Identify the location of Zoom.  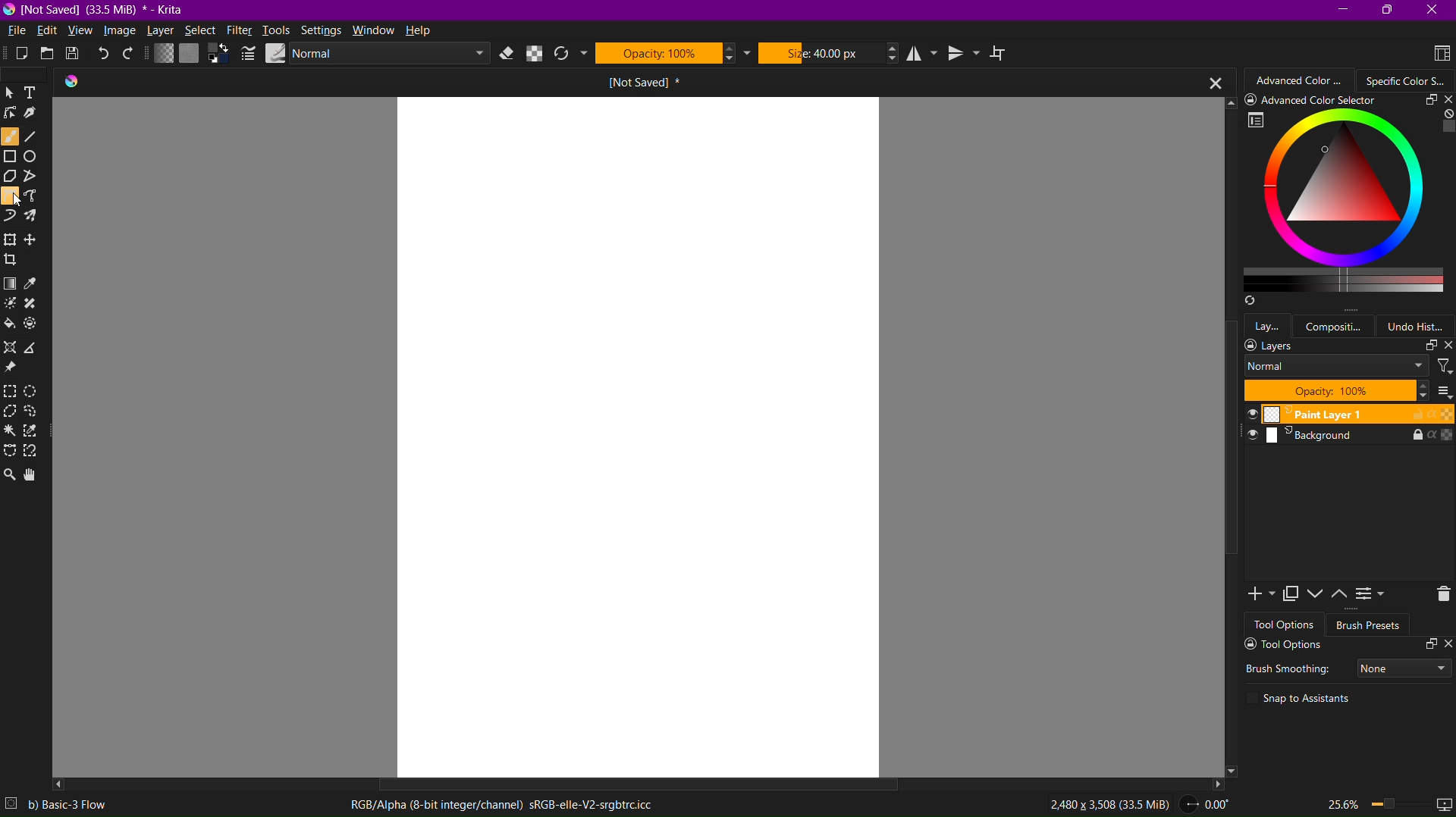
(1361, 803).